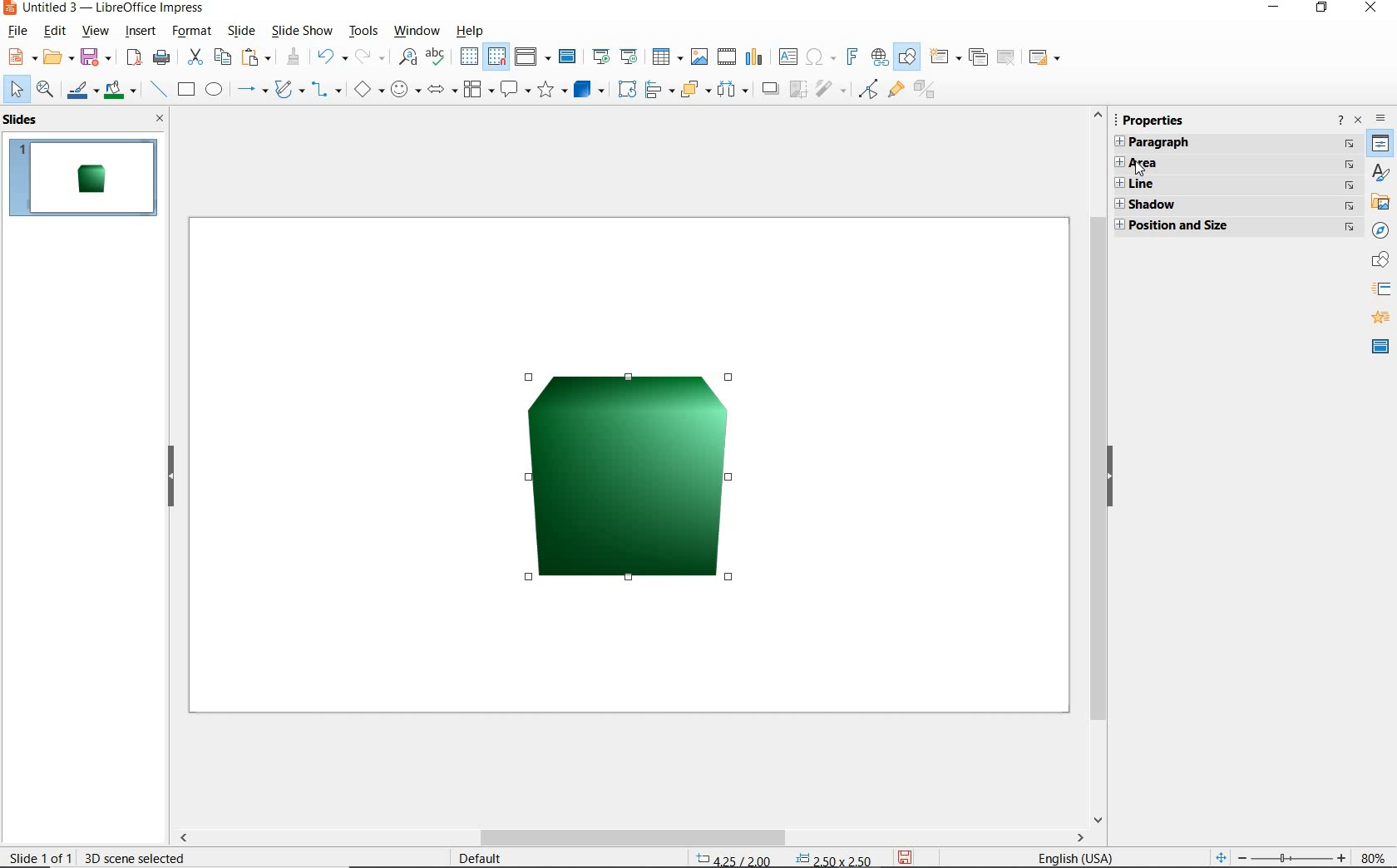 The width and height of the screenshot is (1397, 868). What do you see at coordinates (440, 57) in the screenshot?
I see `spelling` at bounding box center [440, 57].